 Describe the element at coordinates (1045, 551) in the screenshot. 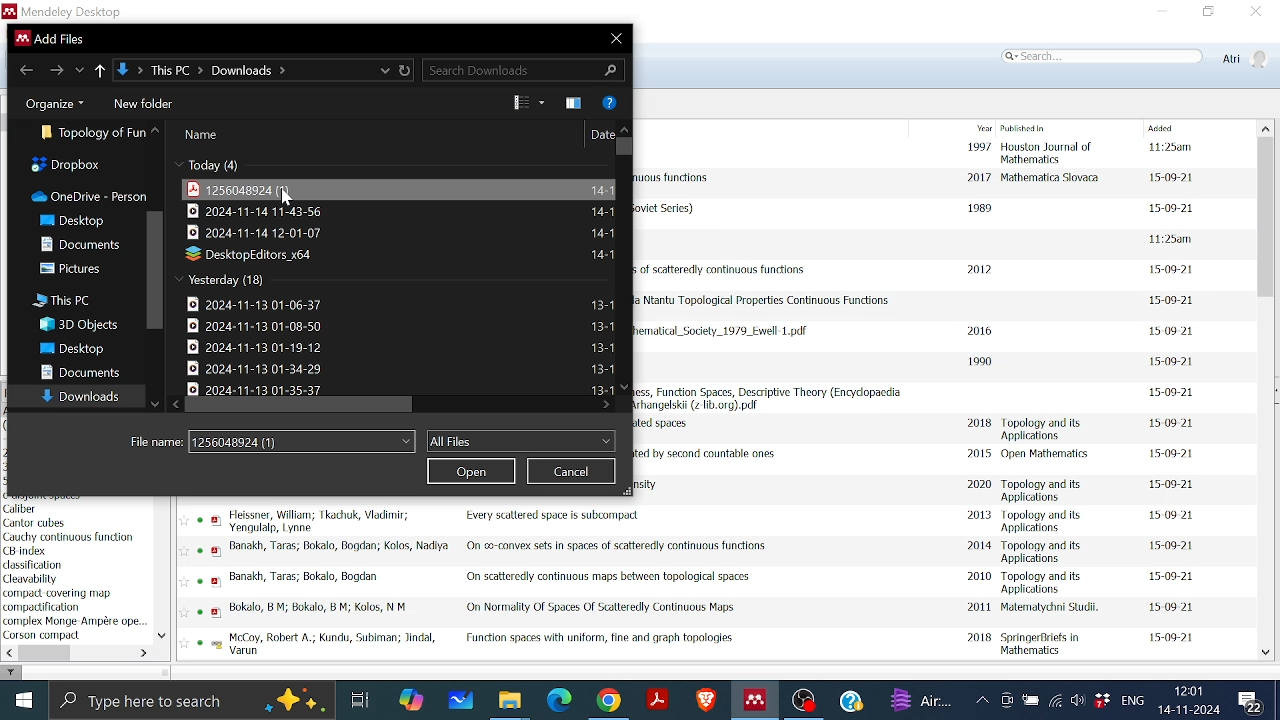

I see `Published in` at that location.